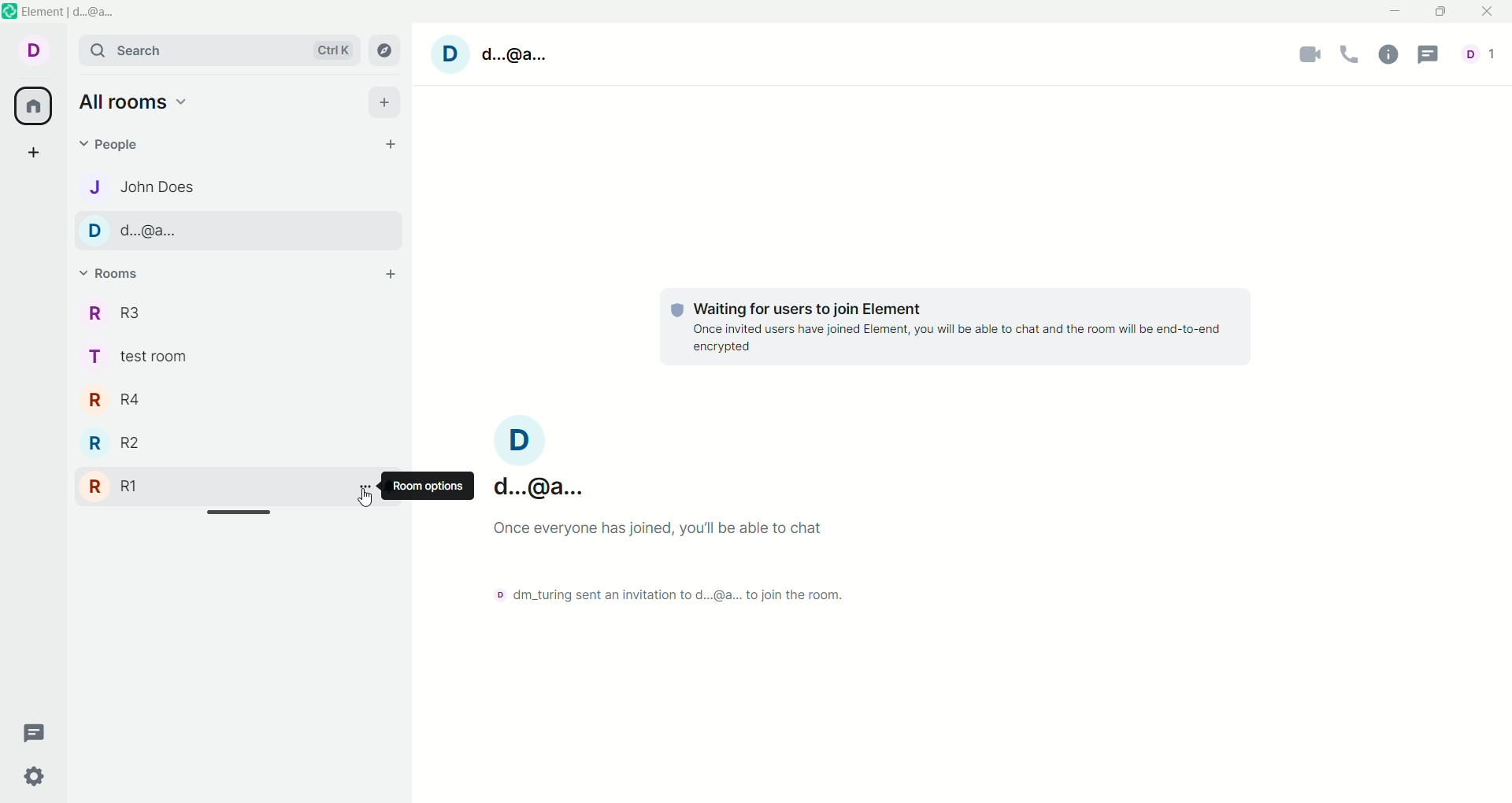 The height and width of the screenshot is (803, 1512). What do you see at coordinates (1311, 57) in the screenshot?
I see `video call` at bounding box center [1311, 57].